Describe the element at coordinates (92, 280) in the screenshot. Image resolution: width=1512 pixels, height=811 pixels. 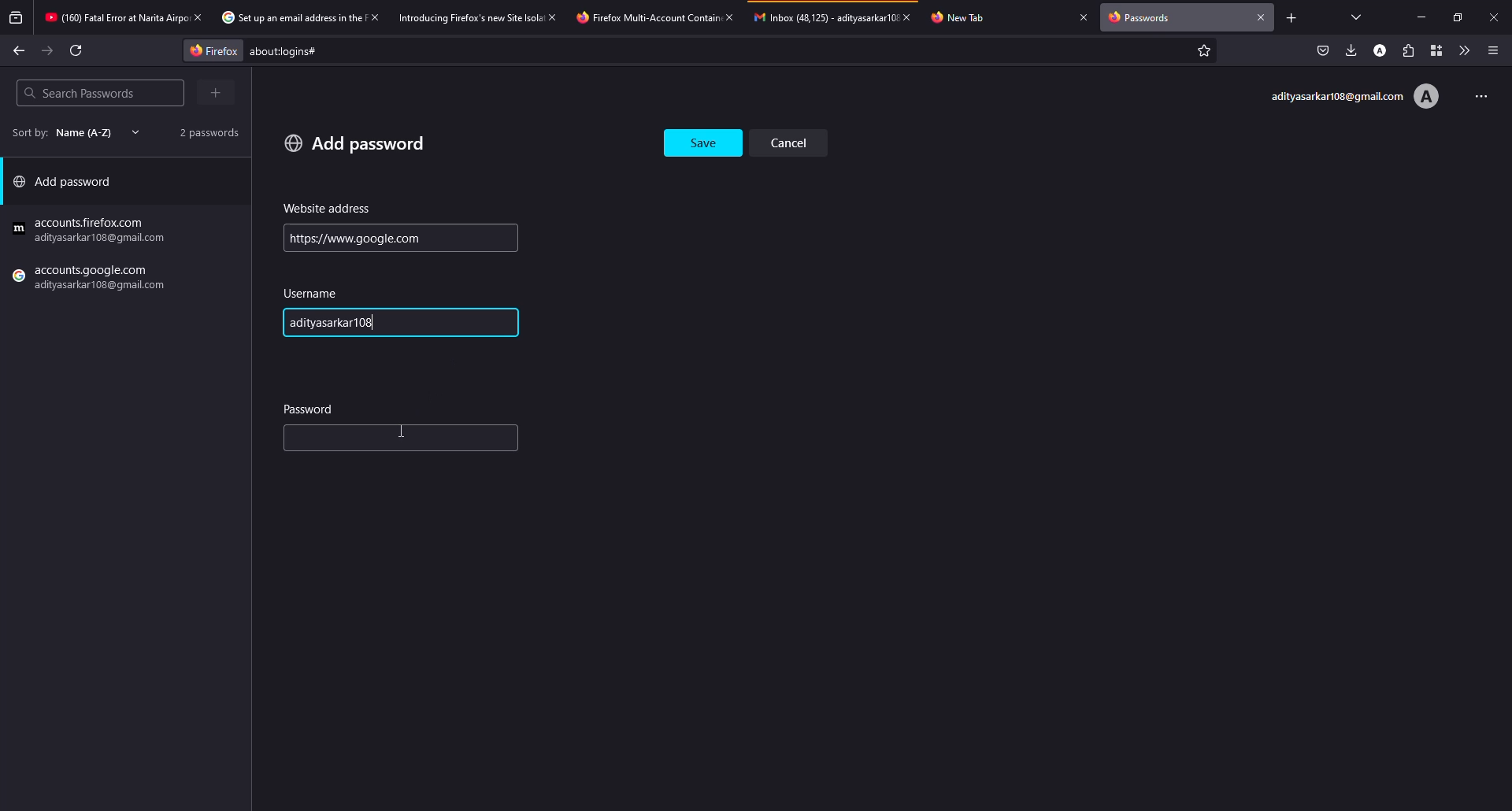
I see `firefox` at that location.